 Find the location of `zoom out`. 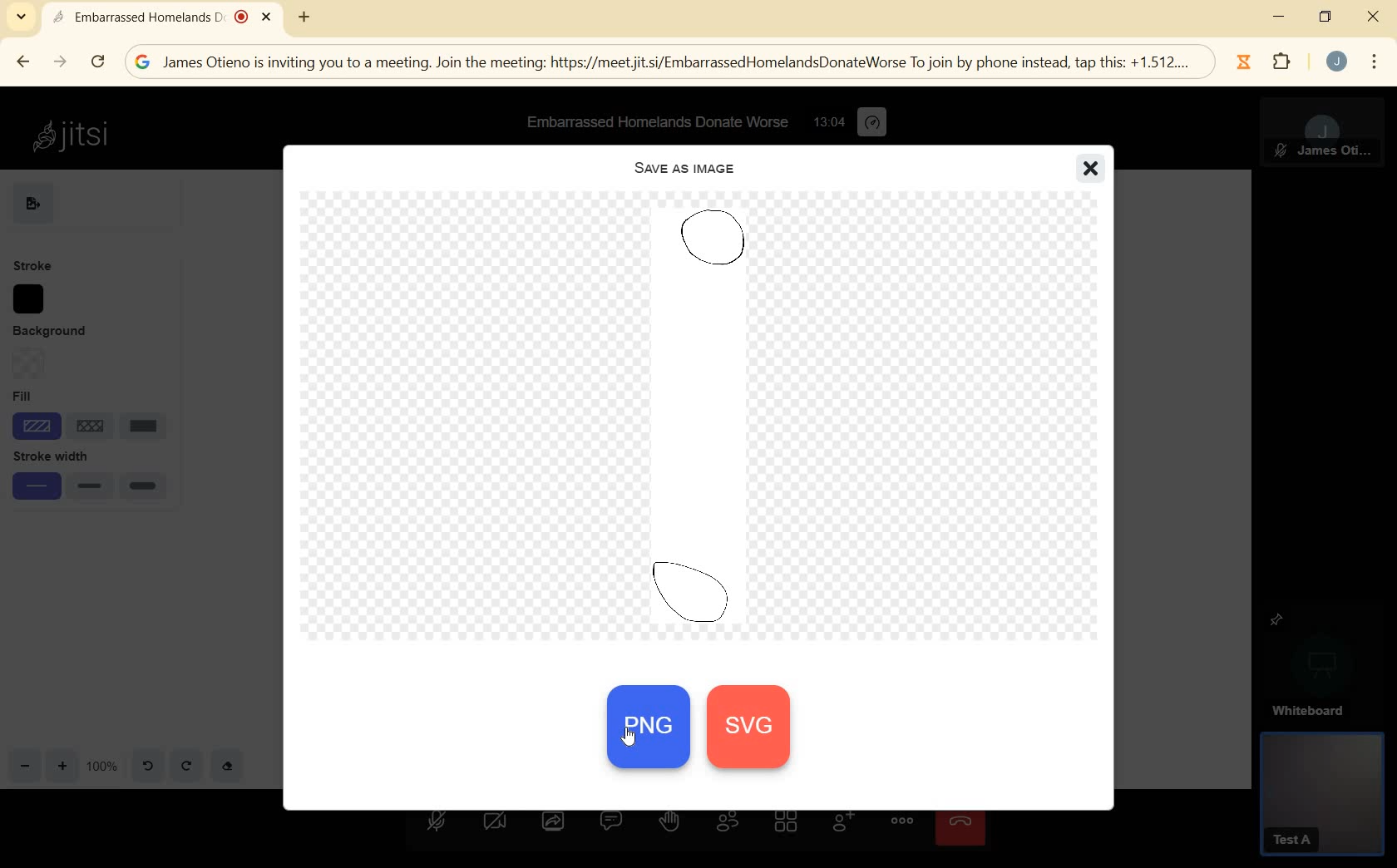

zoom out is located at coordinates (27, 767).